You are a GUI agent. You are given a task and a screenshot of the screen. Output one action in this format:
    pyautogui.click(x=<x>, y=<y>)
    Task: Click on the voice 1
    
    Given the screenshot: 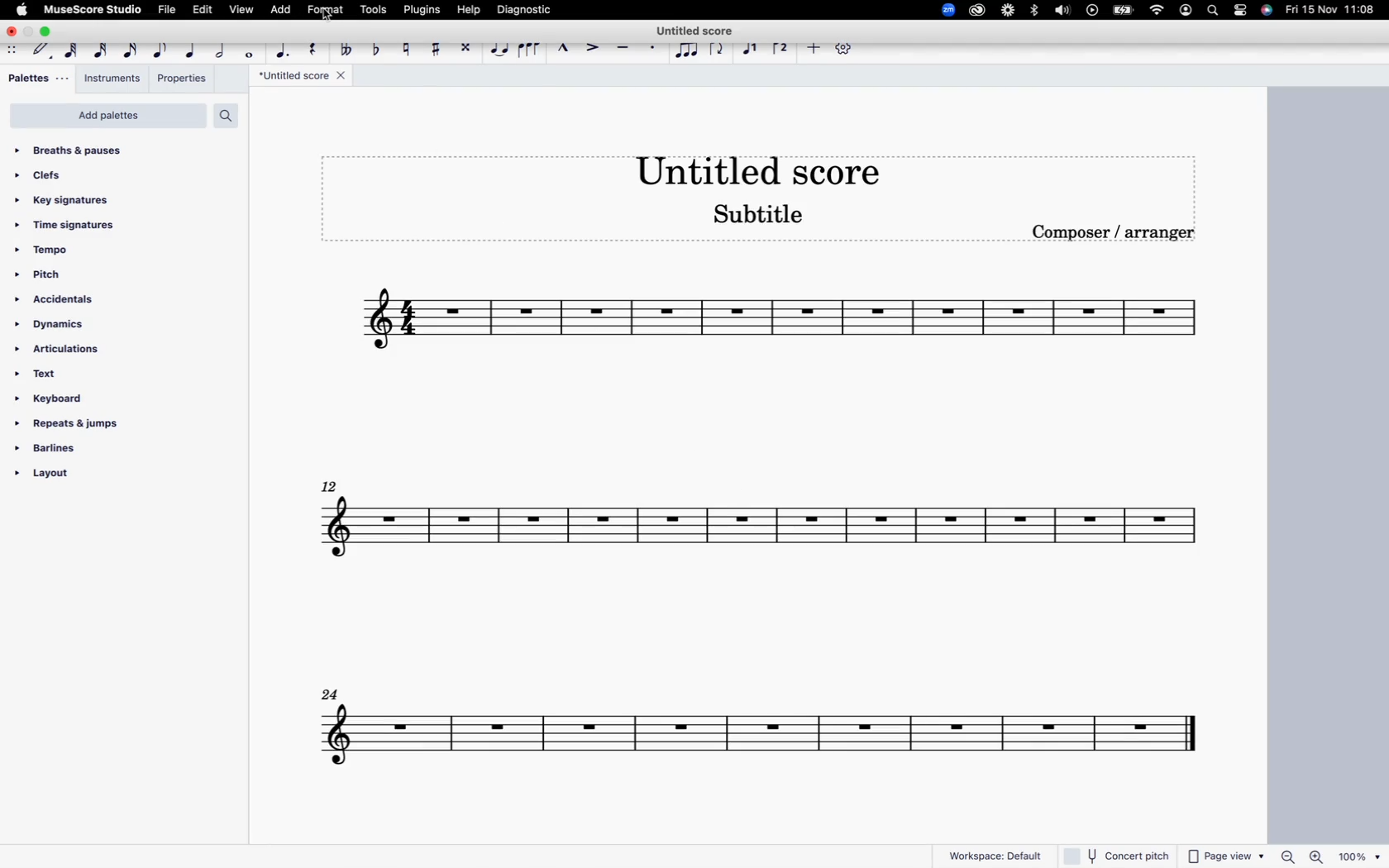 What is the action you would take?
    pyautogui.click(x=752, y=49)
    